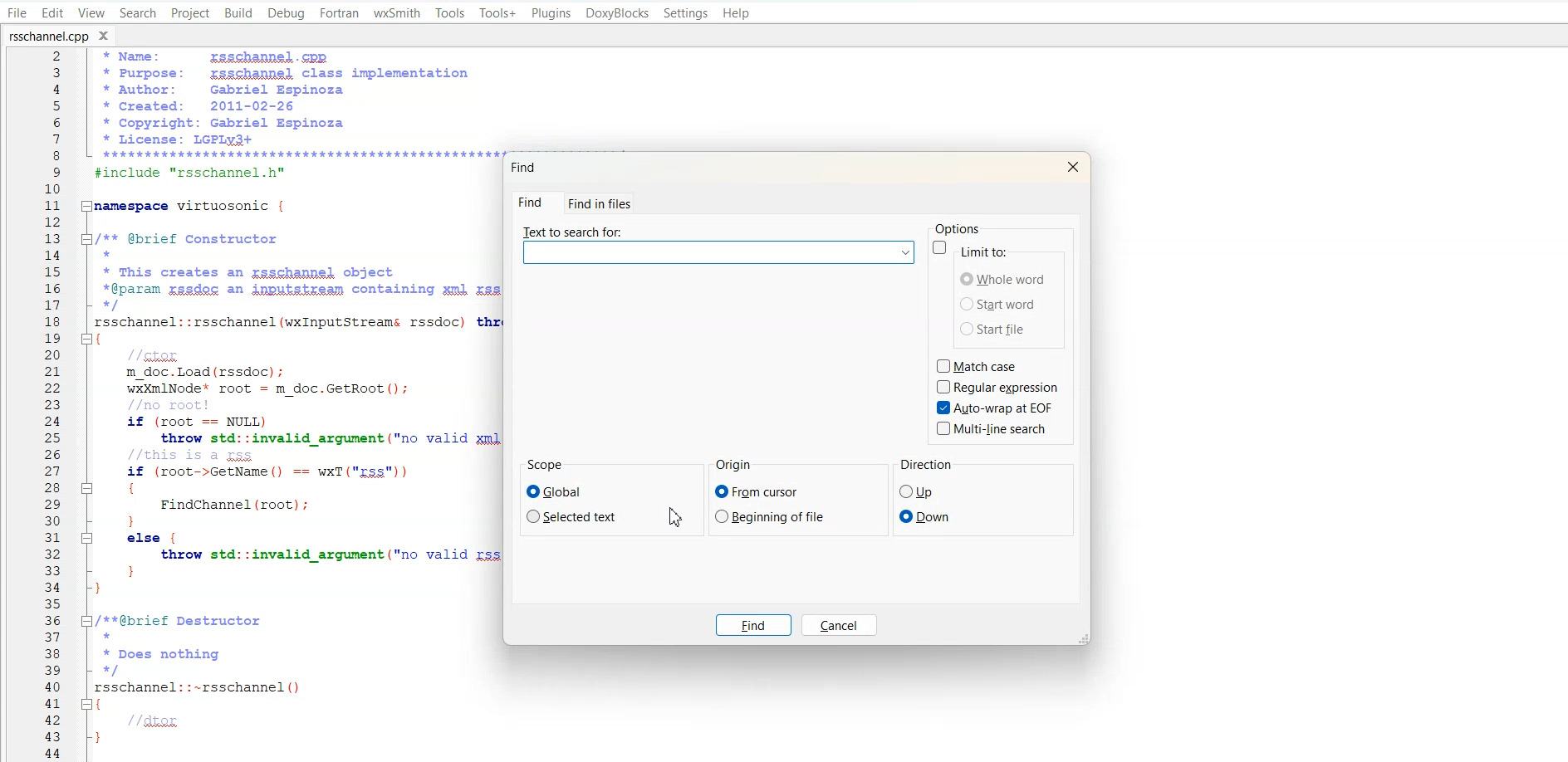  Describe the element at coordinates (576, 515) in the screenshot. I see `Selected text` at that location.